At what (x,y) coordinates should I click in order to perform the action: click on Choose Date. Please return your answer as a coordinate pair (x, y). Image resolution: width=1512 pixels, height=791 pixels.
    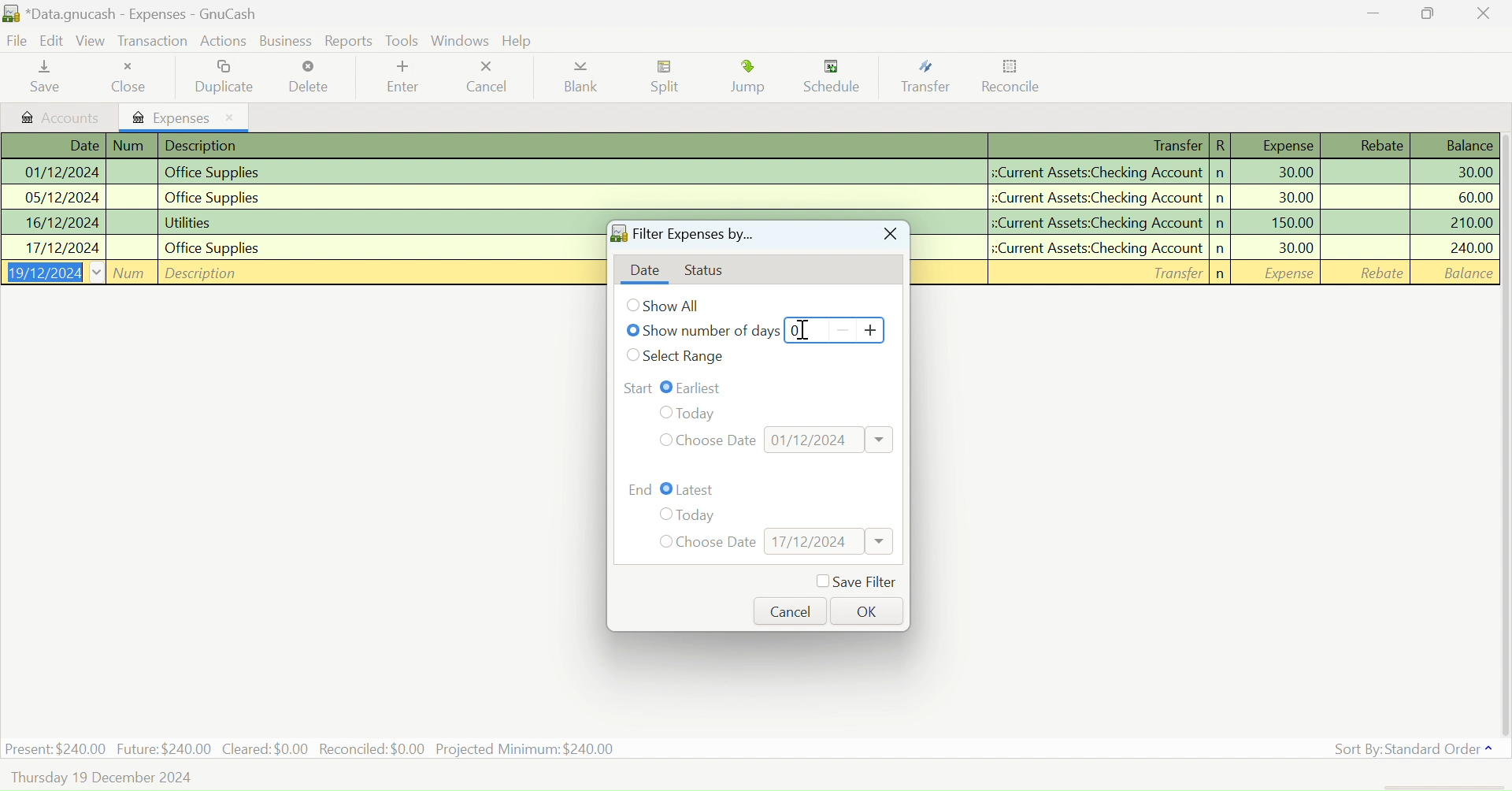
    Looking at the image, I should click on (717, 543).